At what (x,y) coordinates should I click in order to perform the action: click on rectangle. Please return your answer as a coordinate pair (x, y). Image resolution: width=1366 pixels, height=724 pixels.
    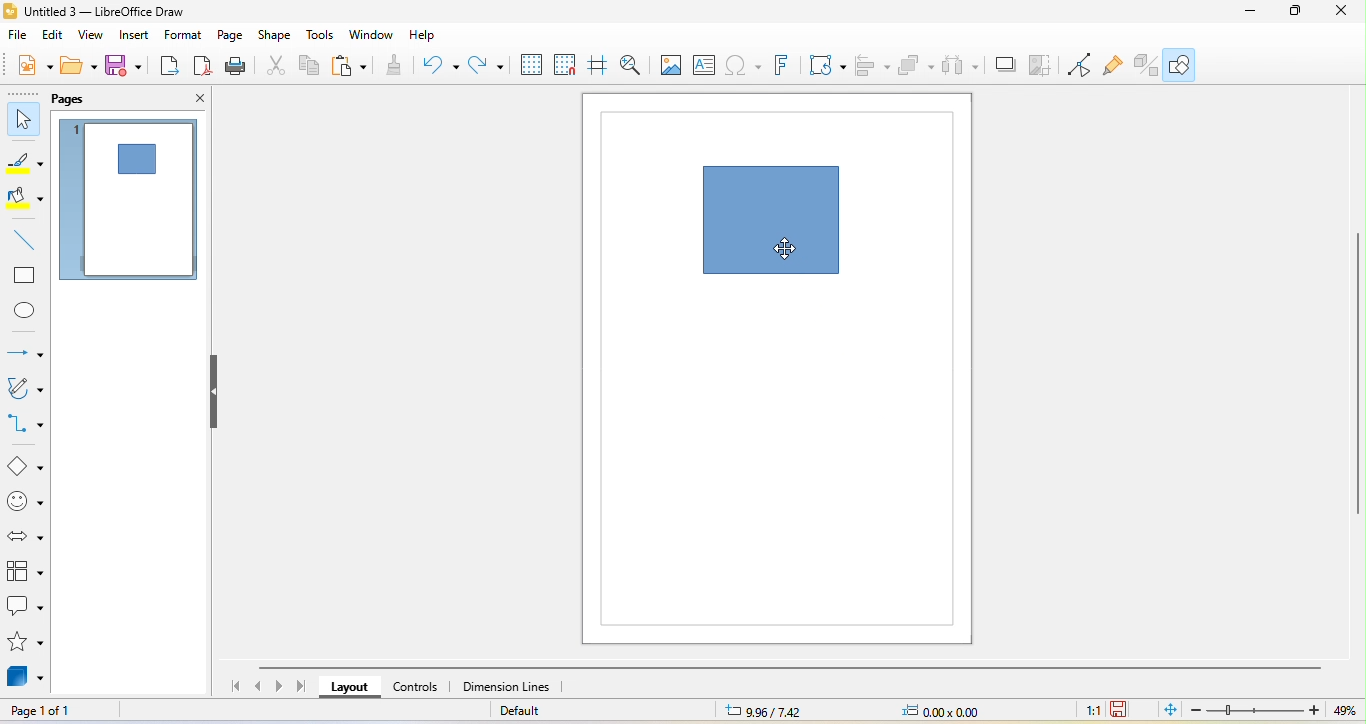
    Looking at the image, I should click on (24, 276).